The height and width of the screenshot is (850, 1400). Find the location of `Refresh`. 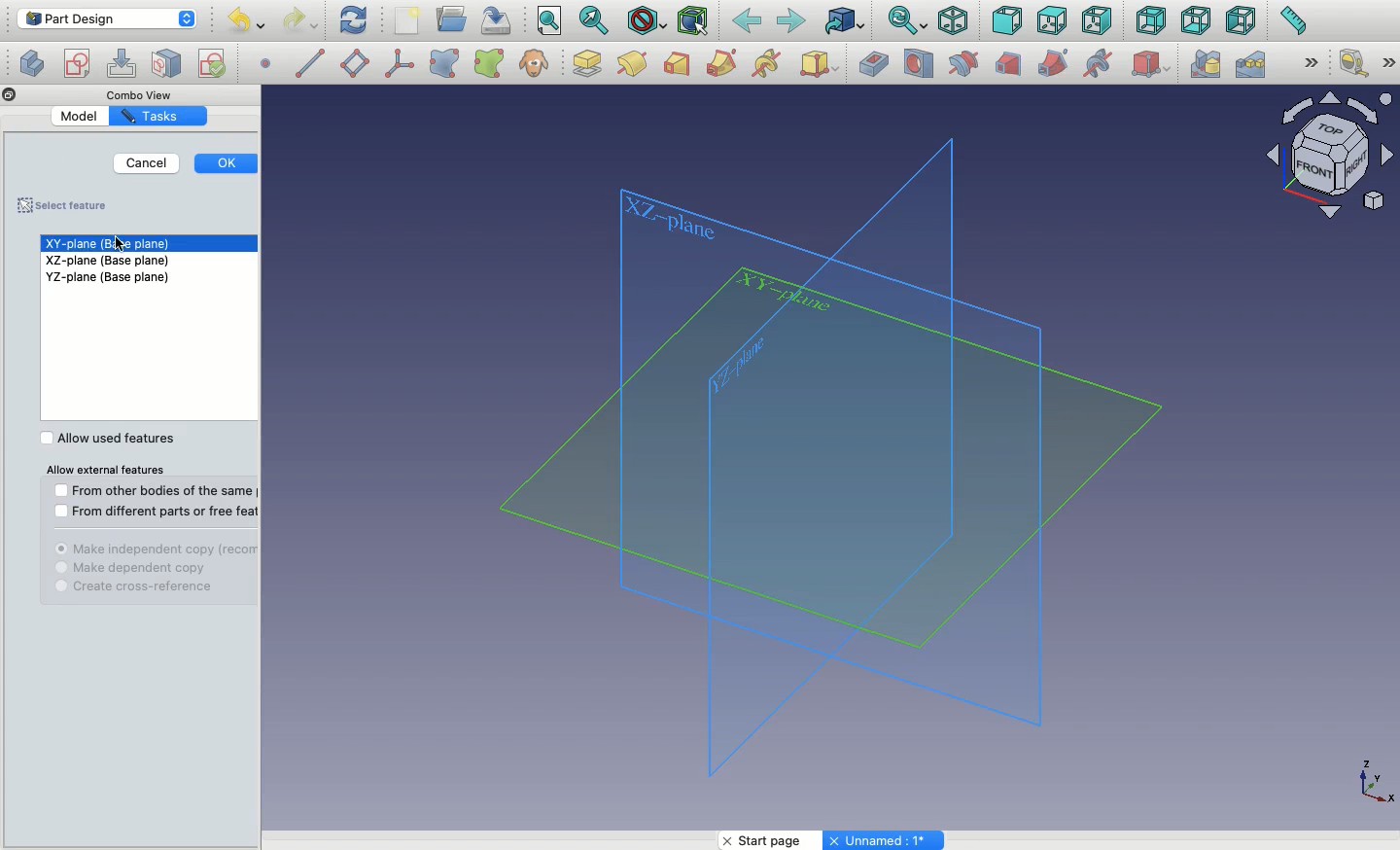

Refresh is located at coordinates (353, 18).